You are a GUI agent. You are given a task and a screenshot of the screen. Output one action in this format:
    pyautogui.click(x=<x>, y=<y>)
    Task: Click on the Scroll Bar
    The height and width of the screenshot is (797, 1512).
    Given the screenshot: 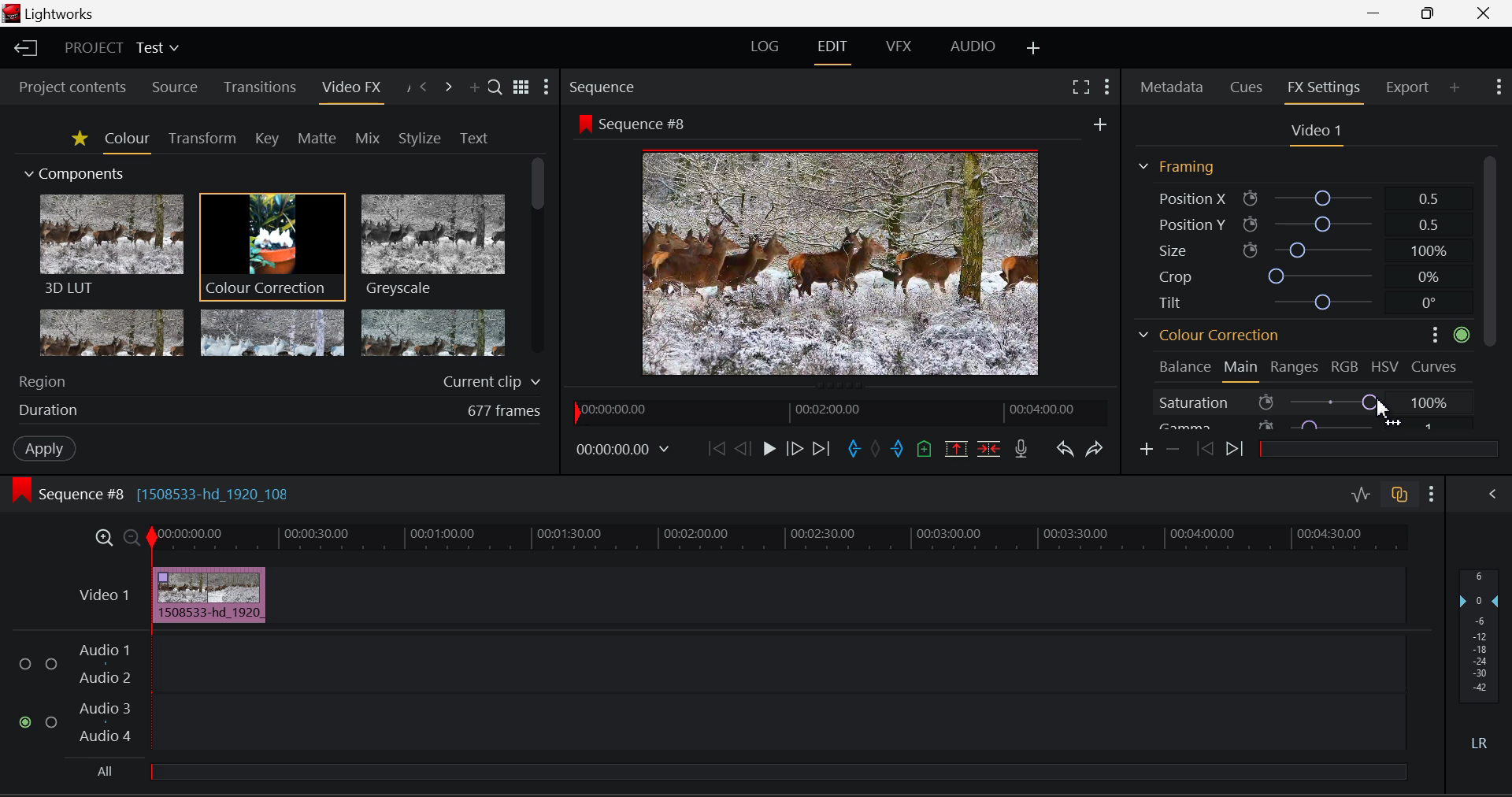 What is the action you would take?
    pyautogui.click(x=539, y=262)
    